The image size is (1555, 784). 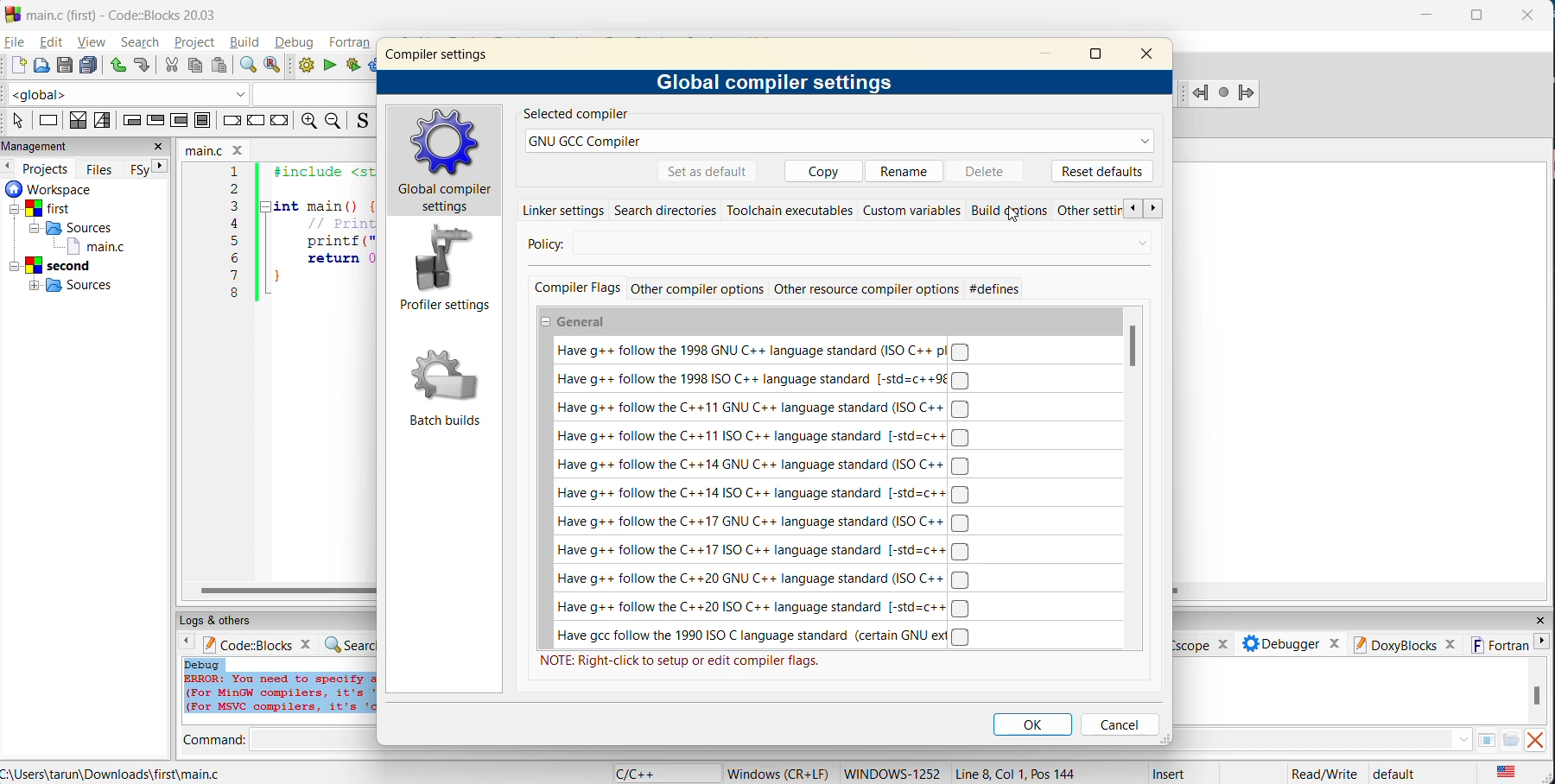 What do you see at coordinates (914, 211) in the screenshot?
I see `custom variables` at bounding box center [914, 211].